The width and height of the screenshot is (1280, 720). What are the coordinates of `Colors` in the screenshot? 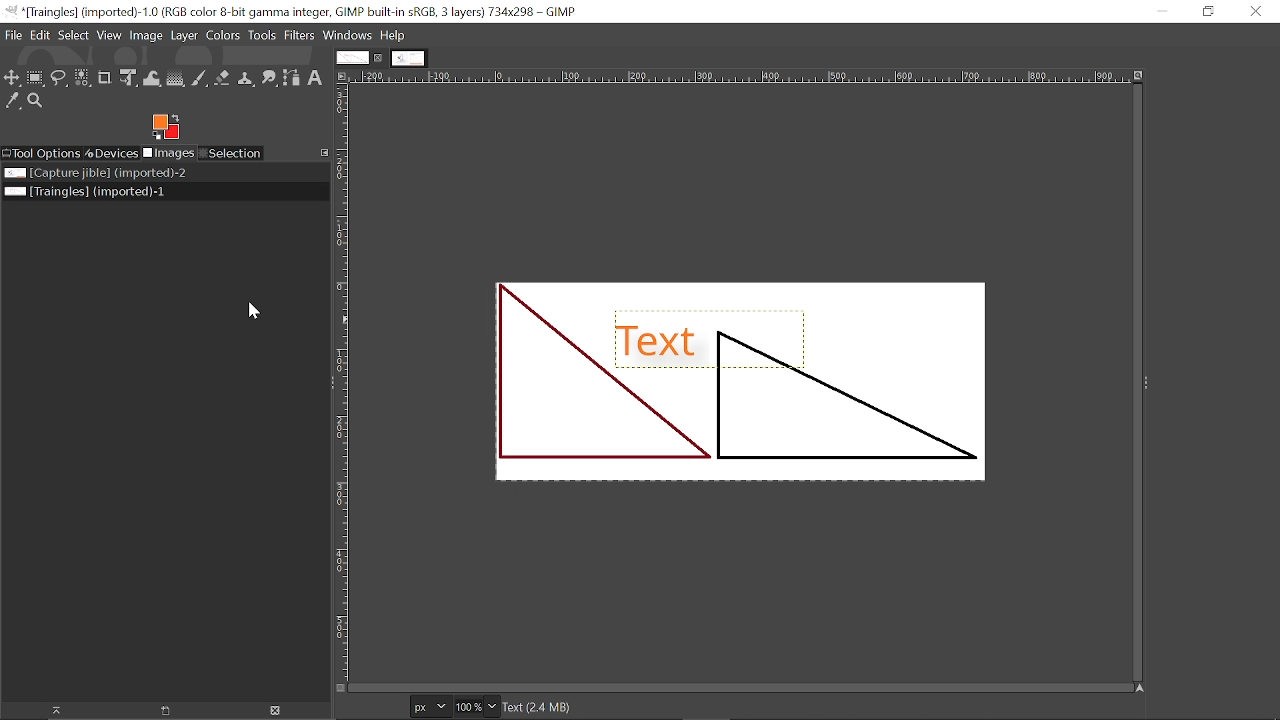 It's located at (223, 36).